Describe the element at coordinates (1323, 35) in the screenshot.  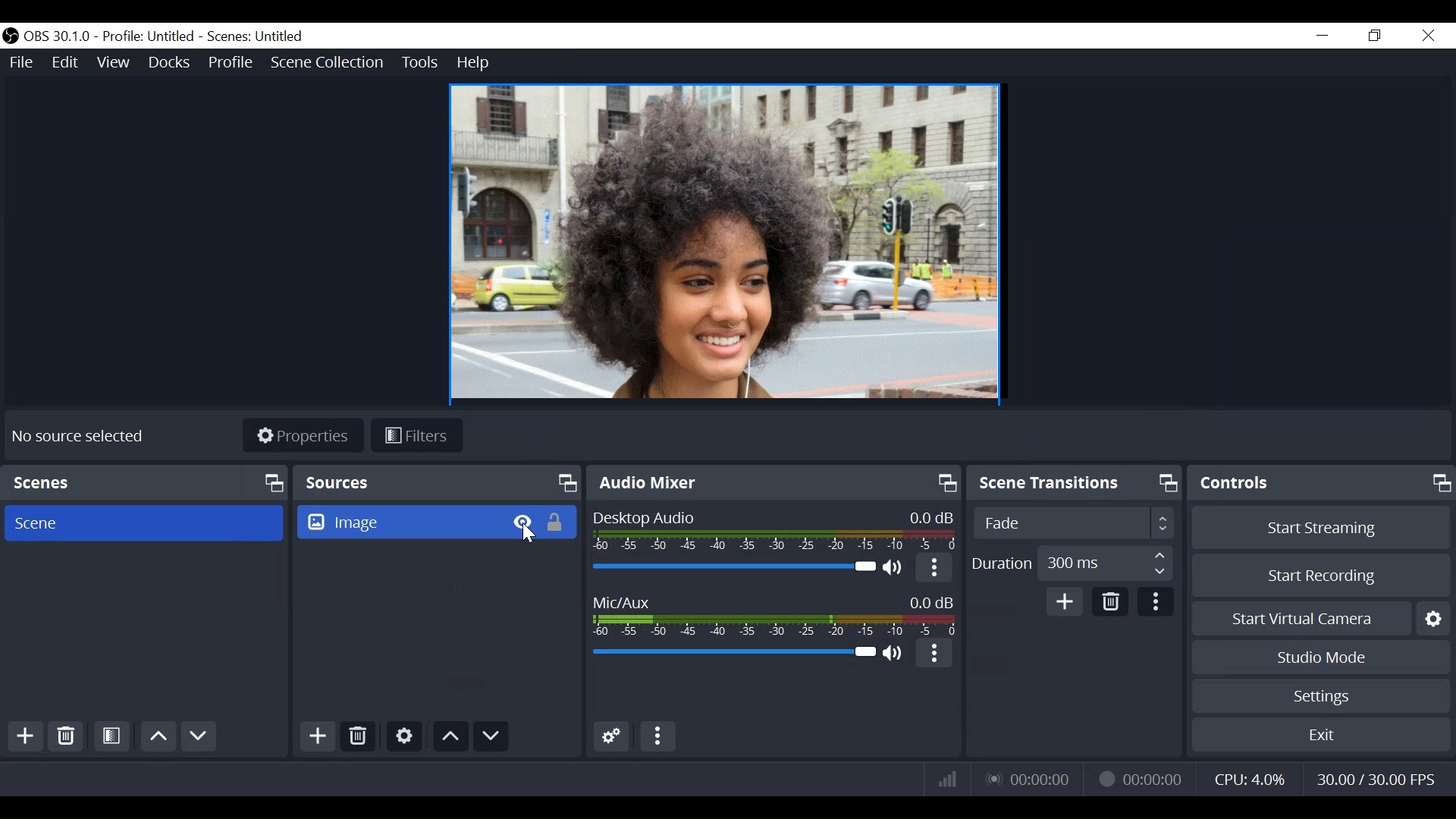
I see `minimize` at that location.